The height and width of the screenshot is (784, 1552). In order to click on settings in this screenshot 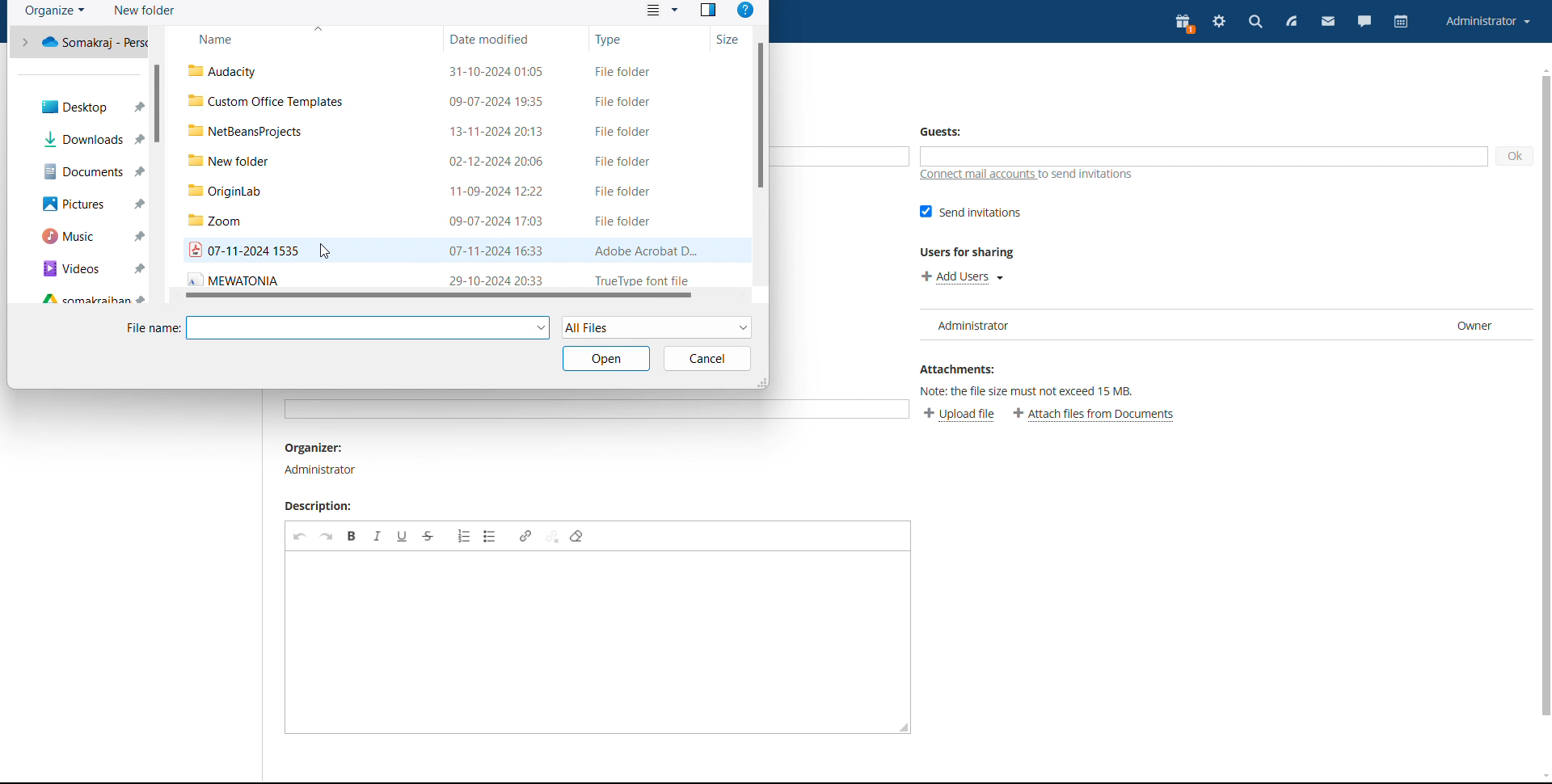, I will do `click(1221, 23)`.